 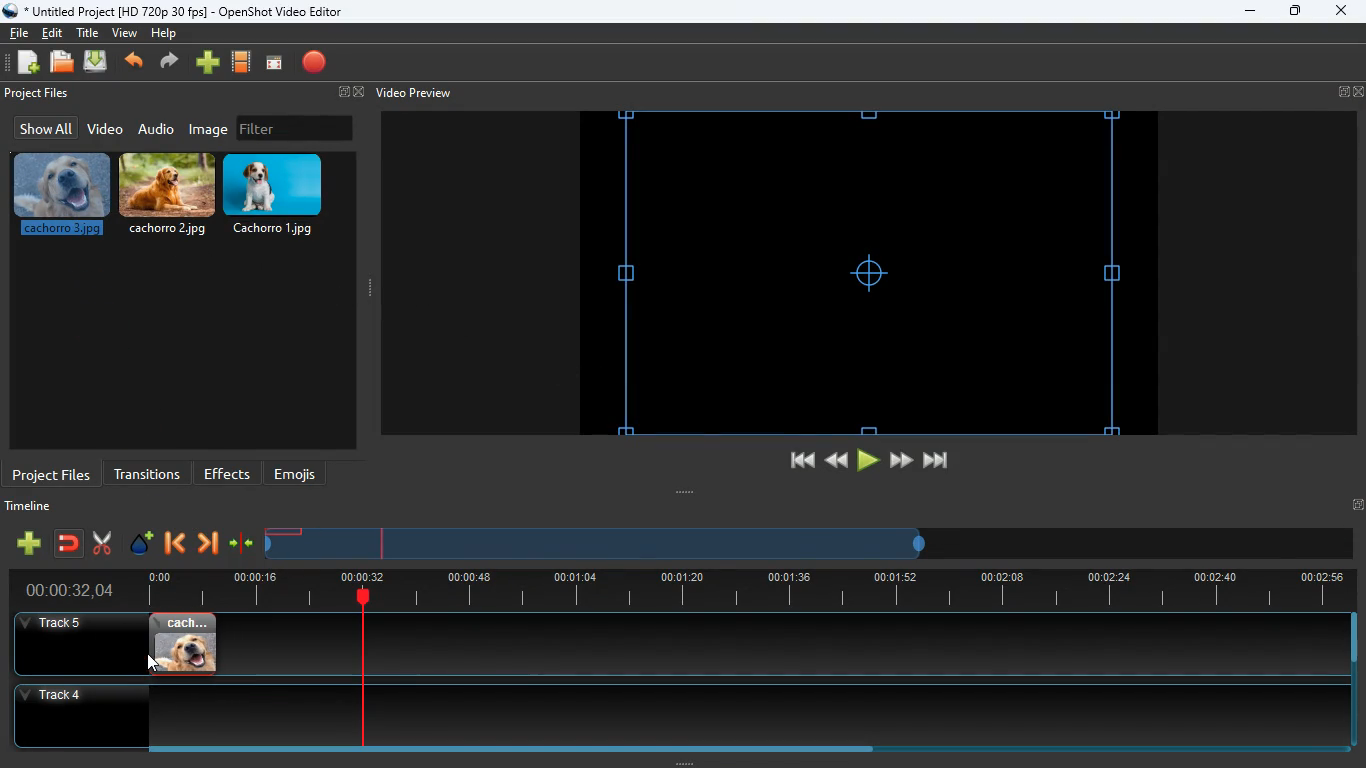 I want to click on image, so click(x=183, y=644).